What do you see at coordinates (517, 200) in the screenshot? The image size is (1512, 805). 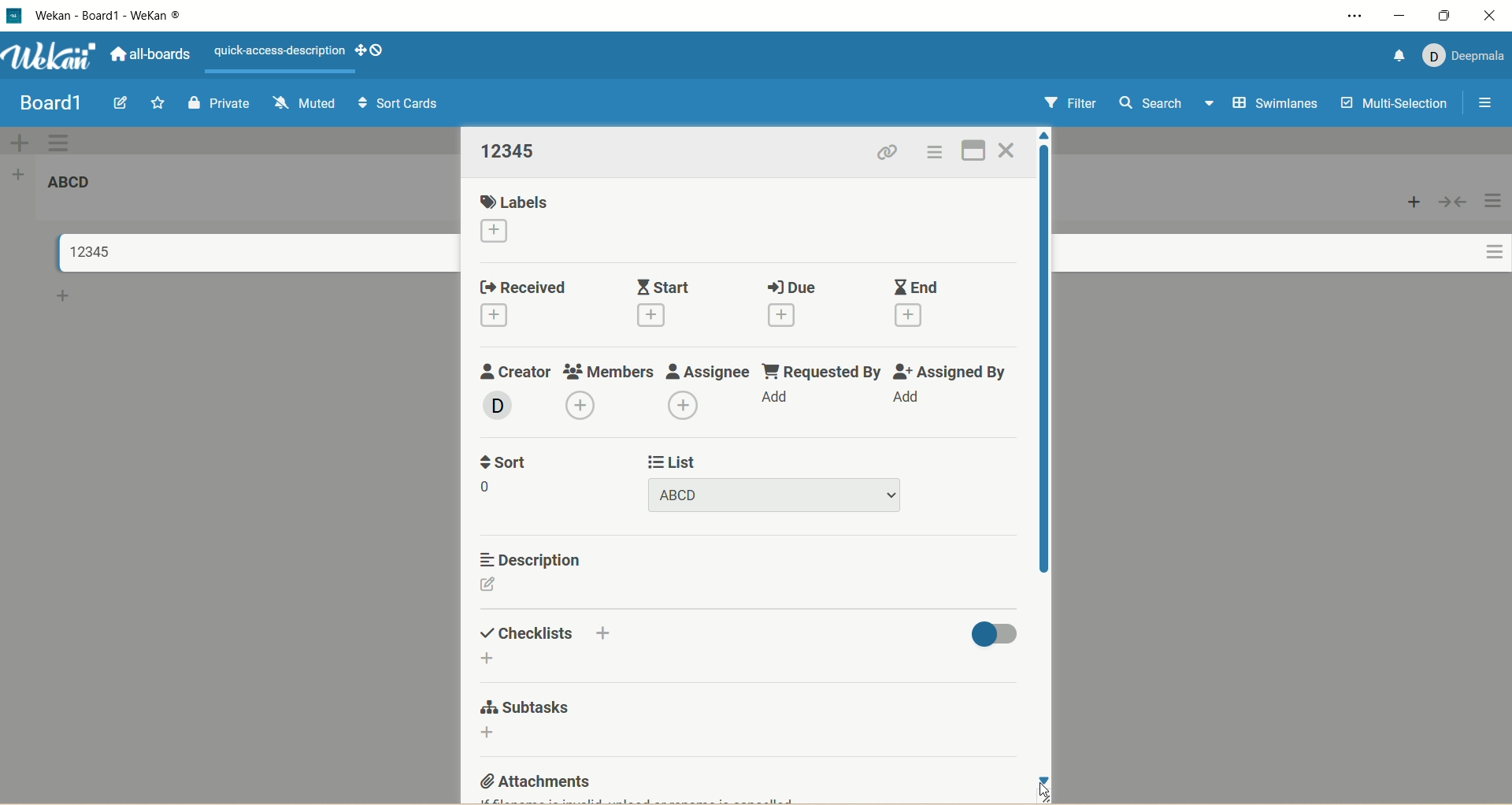 I see `labels` at bounding box center [517, 200].